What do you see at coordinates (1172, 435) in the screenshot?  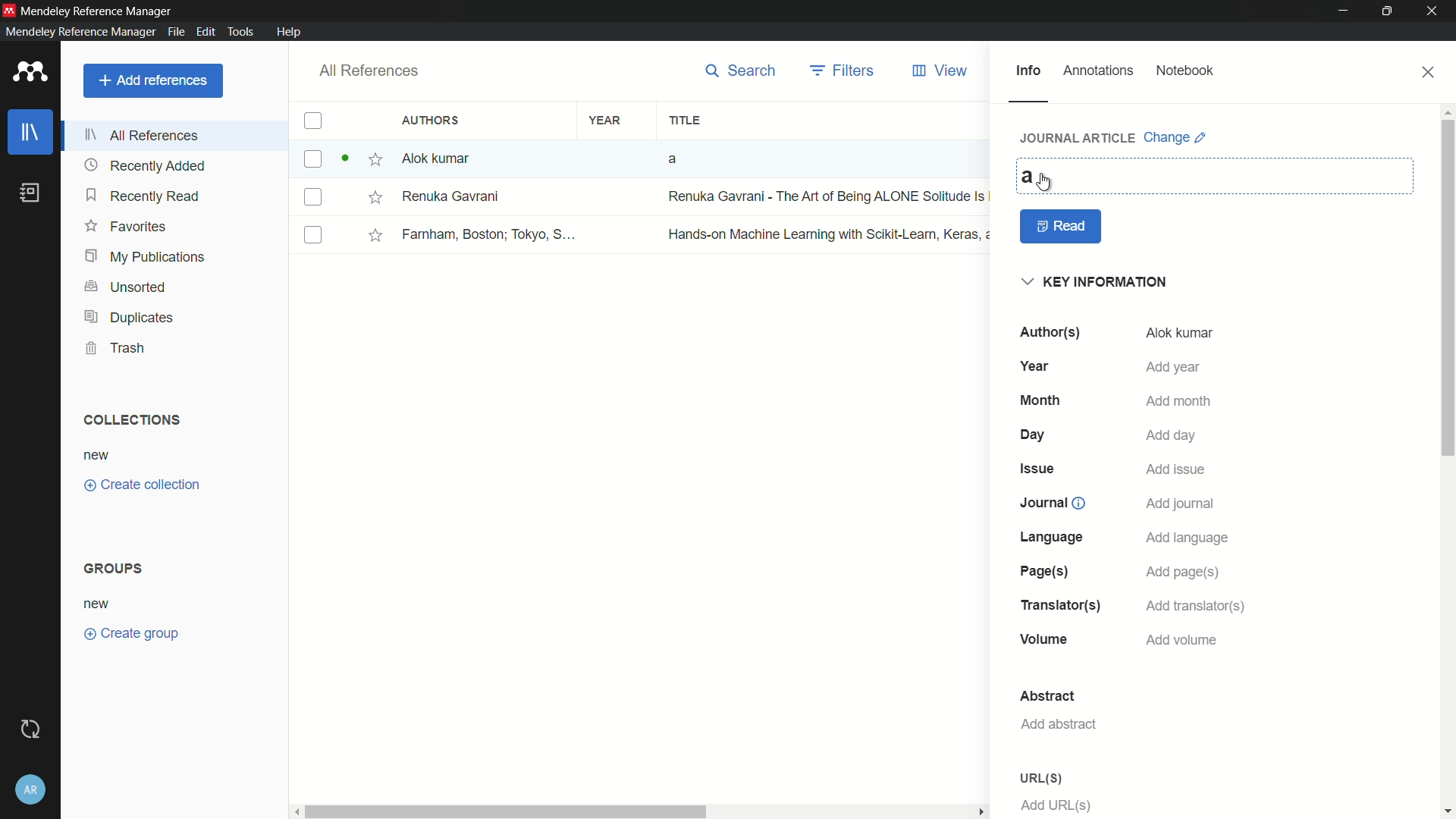 I see `add day` at bounding box center [1172, 435].